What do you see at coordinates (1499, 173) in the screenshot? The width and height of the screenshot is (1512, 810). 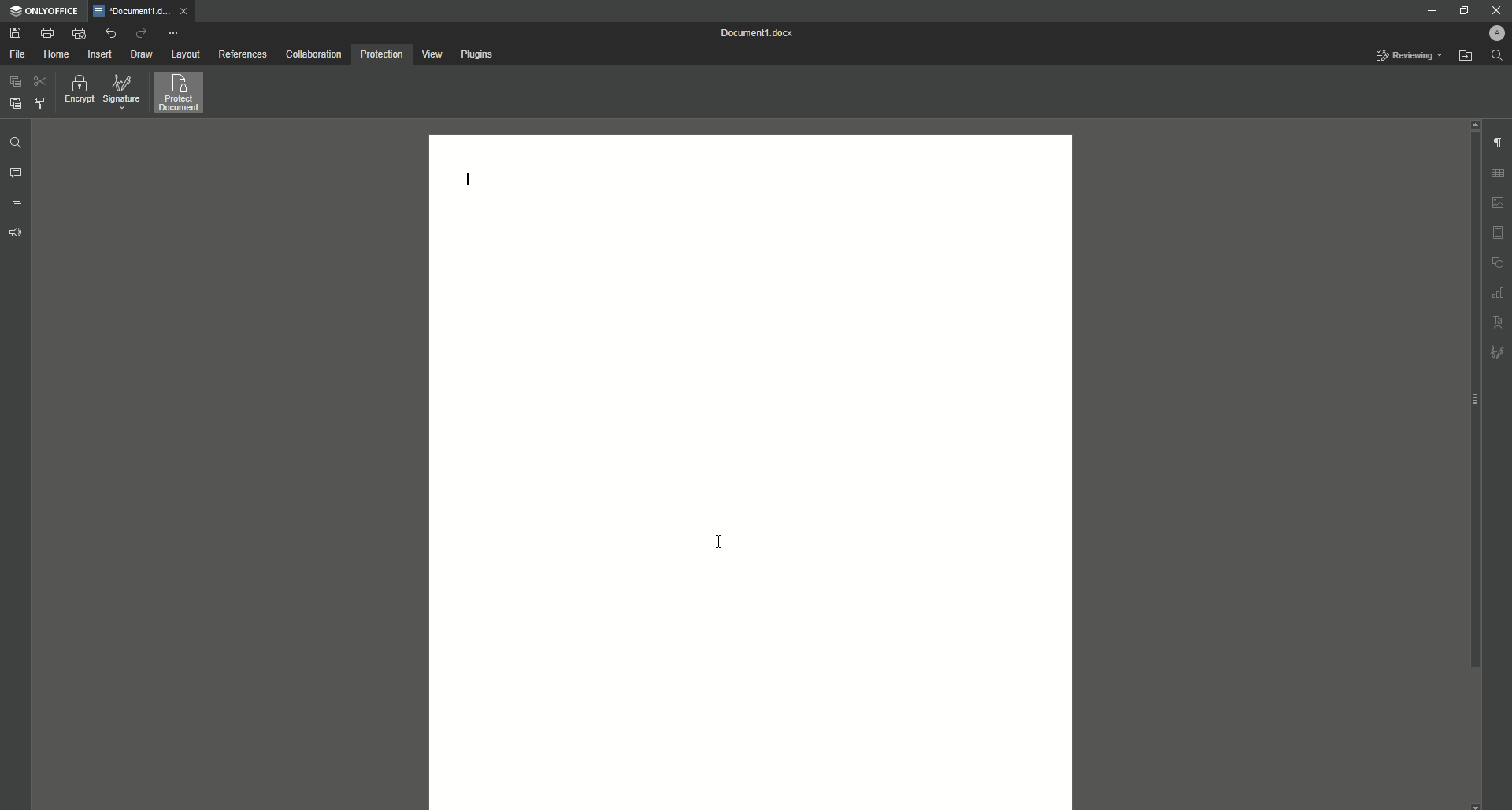 I see `Table Settings` at bounding box center [1499, 173].